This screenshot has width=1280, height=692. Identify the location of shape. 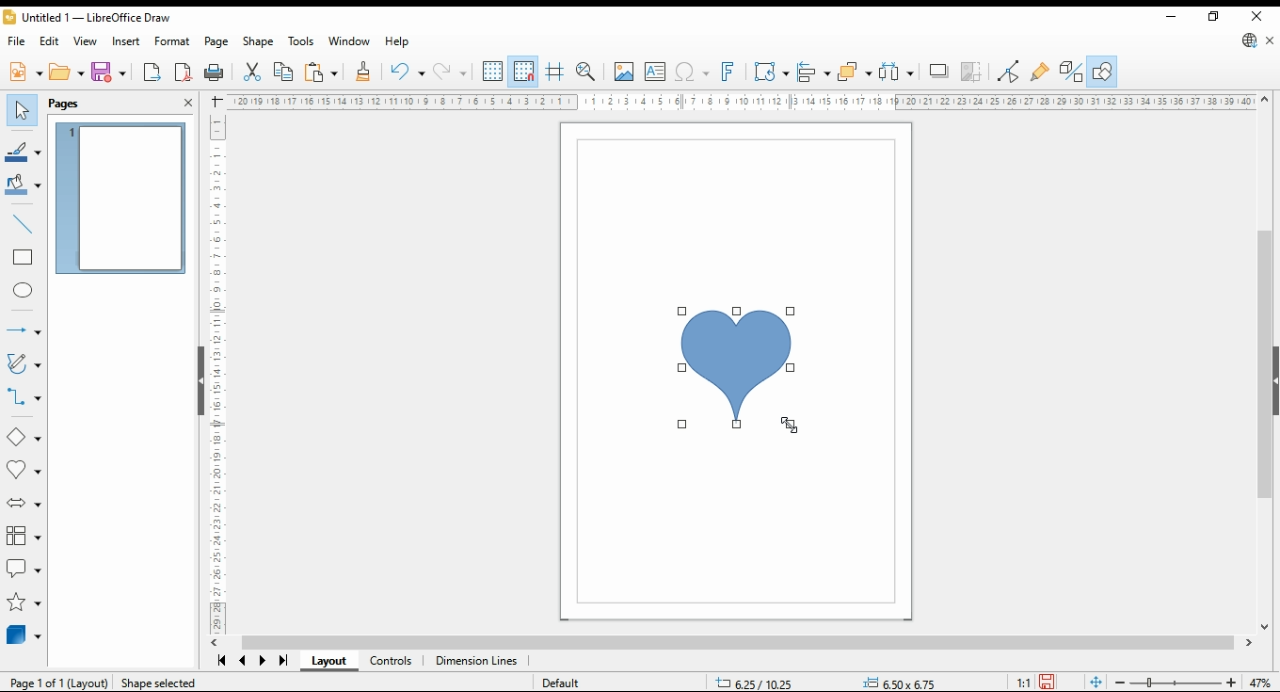
(258, 42).